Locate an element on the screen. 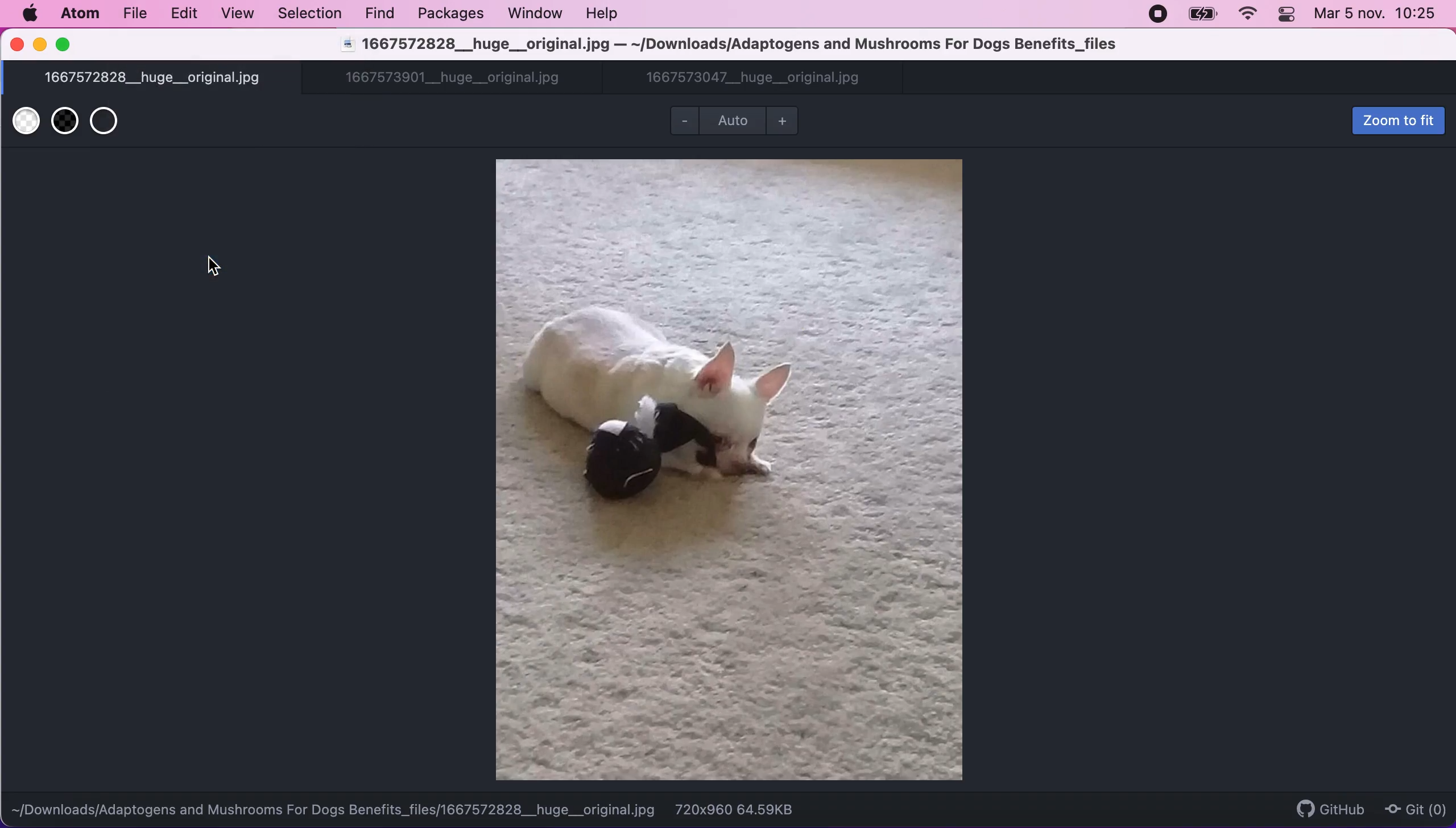 The width and height of the screenshot is (1456, 828). cursor is located at coordinates (205, 267).